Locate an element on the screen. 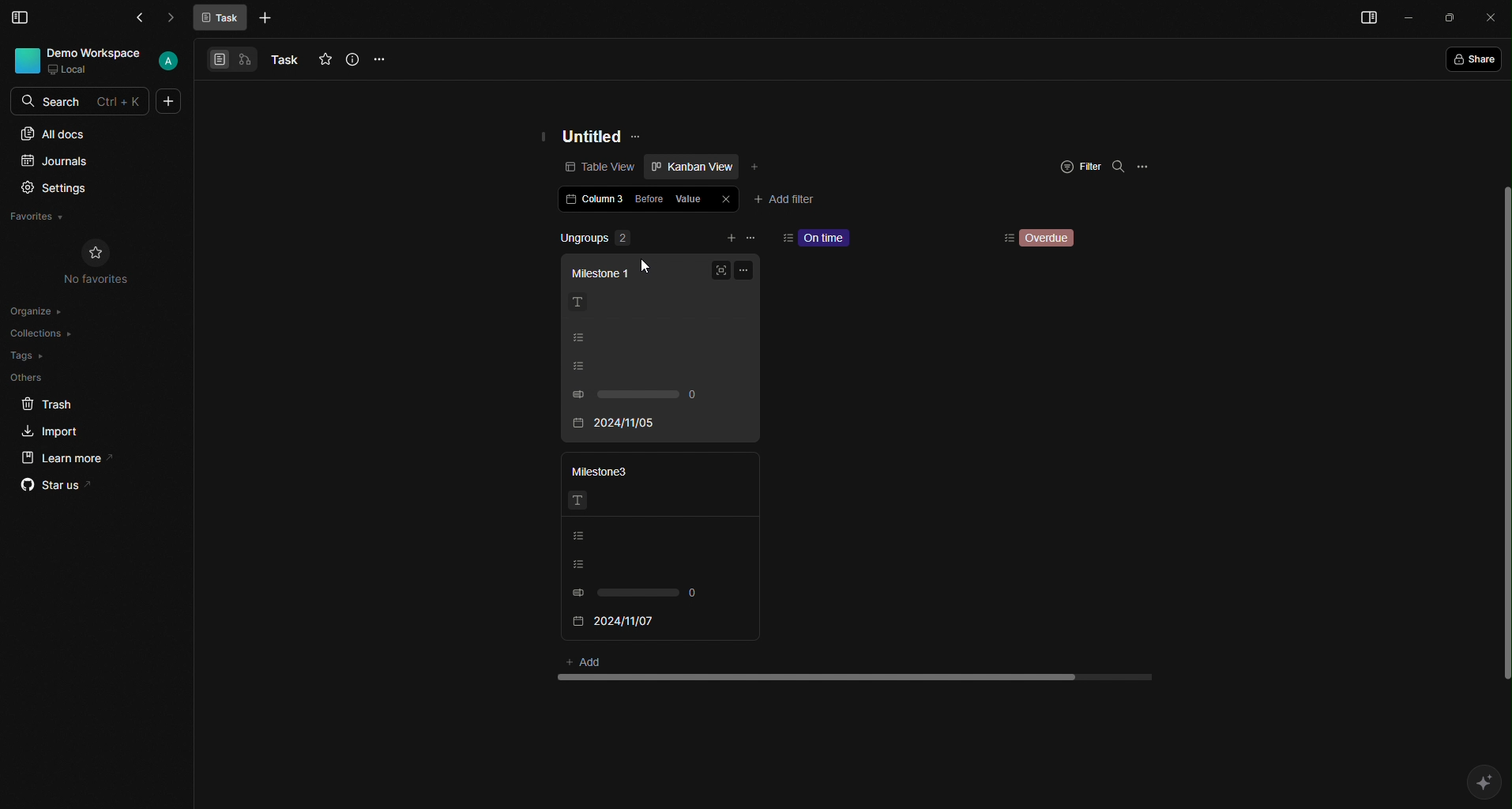  Favorites is located at coordinates (39, 216).